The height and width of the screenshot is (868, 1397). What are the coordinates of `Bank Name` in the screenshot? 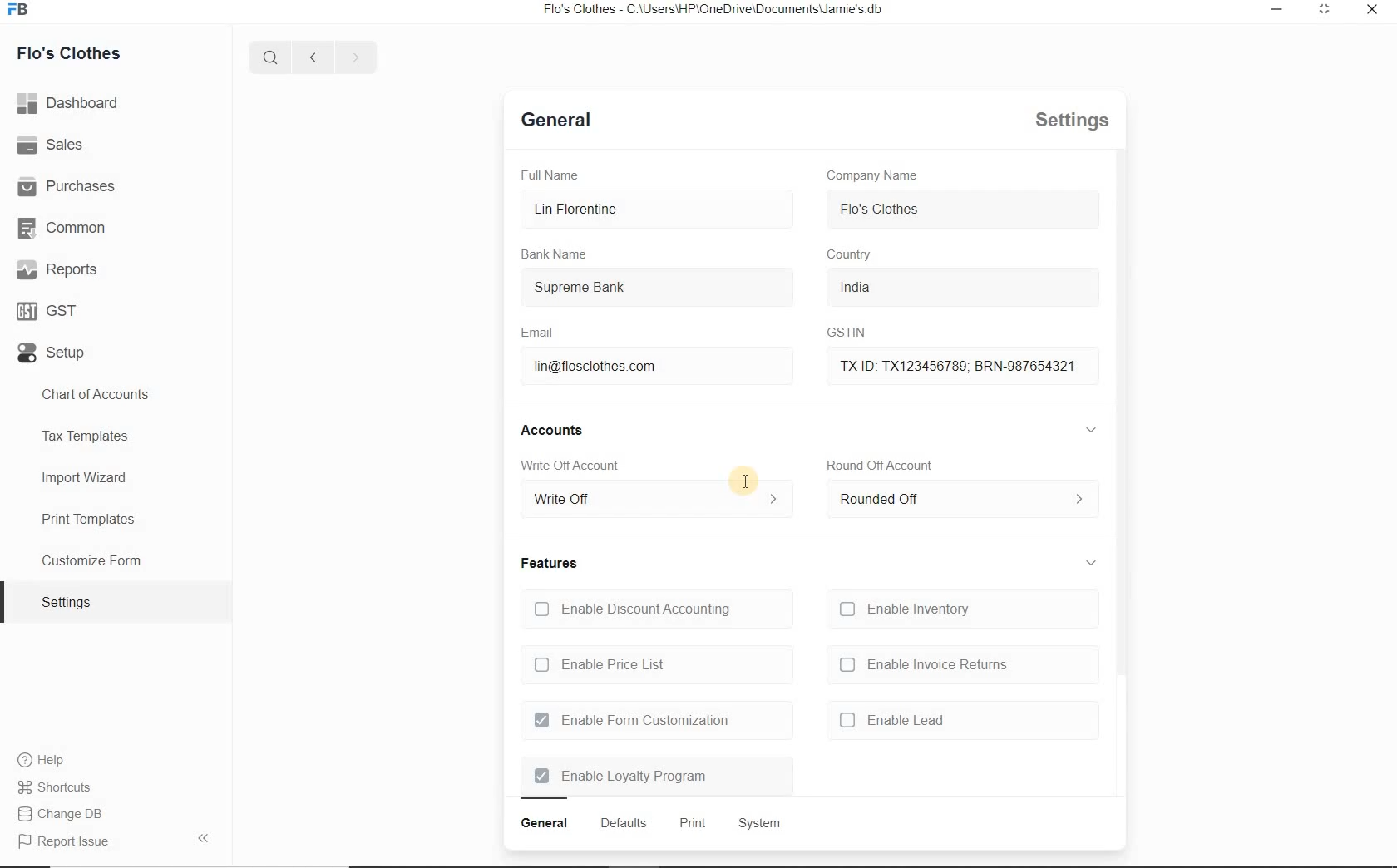 It's located at (557, 250).